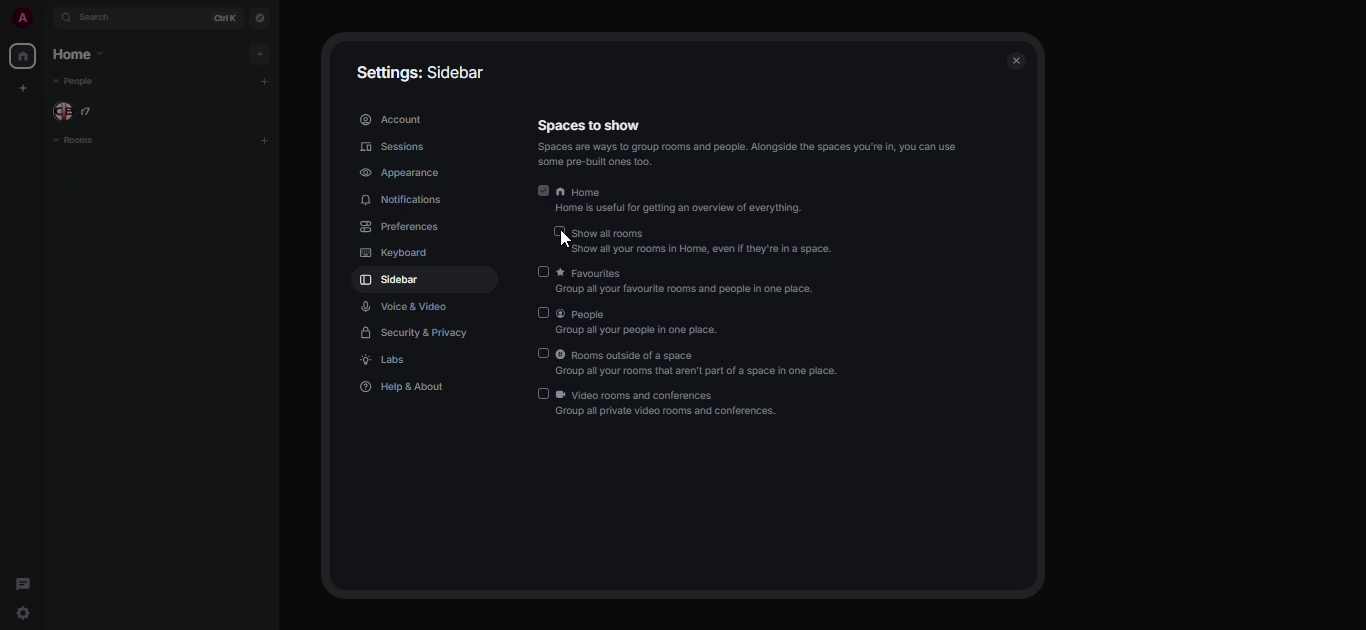  What do you see at coordinates (96, 19) in the screenshot?
I see `search` at bounding box center [96, 19].